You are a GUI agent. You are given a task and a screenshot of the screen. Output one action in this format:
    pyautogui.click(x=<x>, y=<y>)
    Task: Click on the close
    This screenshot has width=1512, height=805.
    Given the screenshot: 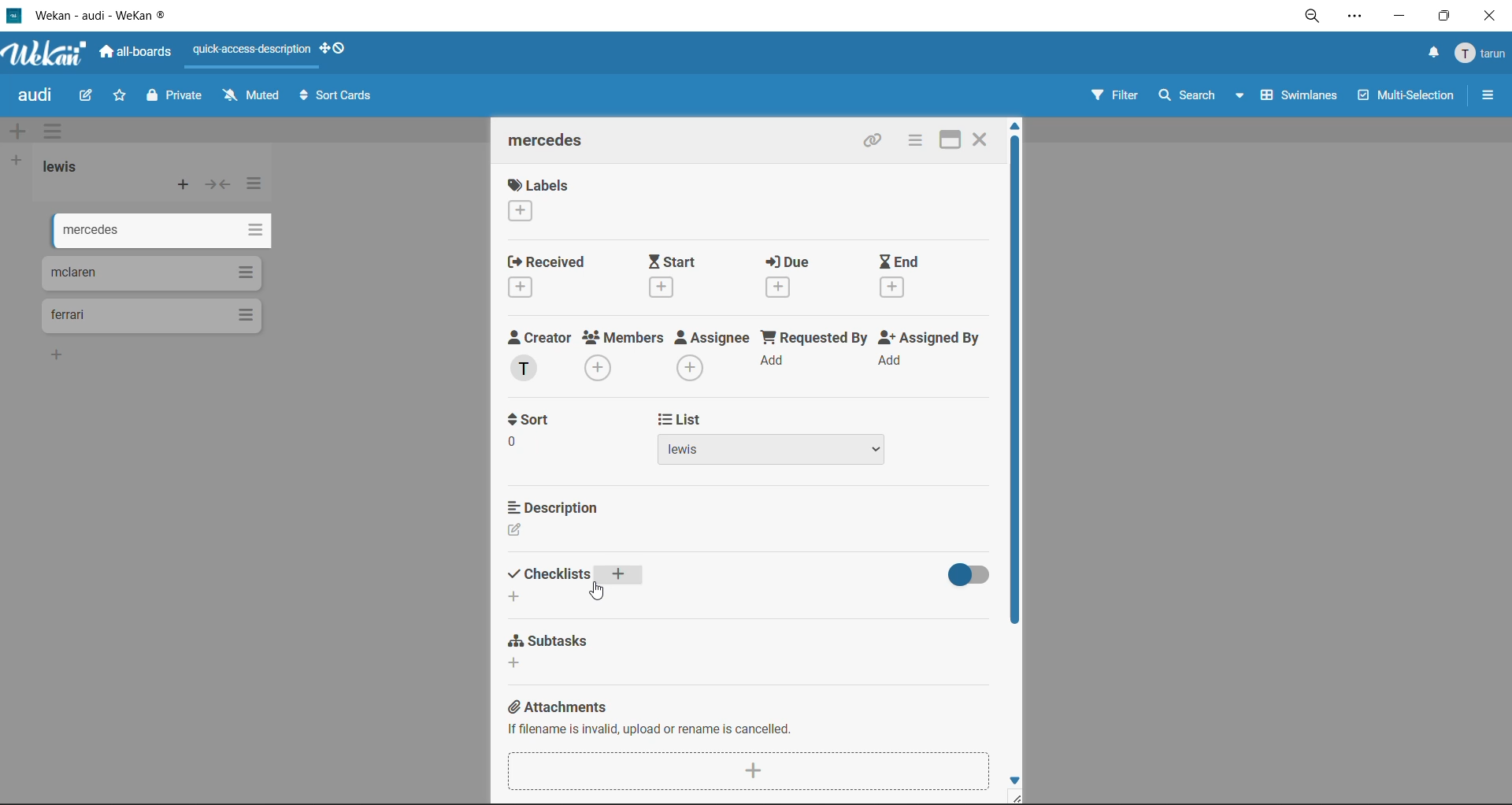 What is the action you would take?
    pyautogui.click(x=981, y=137)
    